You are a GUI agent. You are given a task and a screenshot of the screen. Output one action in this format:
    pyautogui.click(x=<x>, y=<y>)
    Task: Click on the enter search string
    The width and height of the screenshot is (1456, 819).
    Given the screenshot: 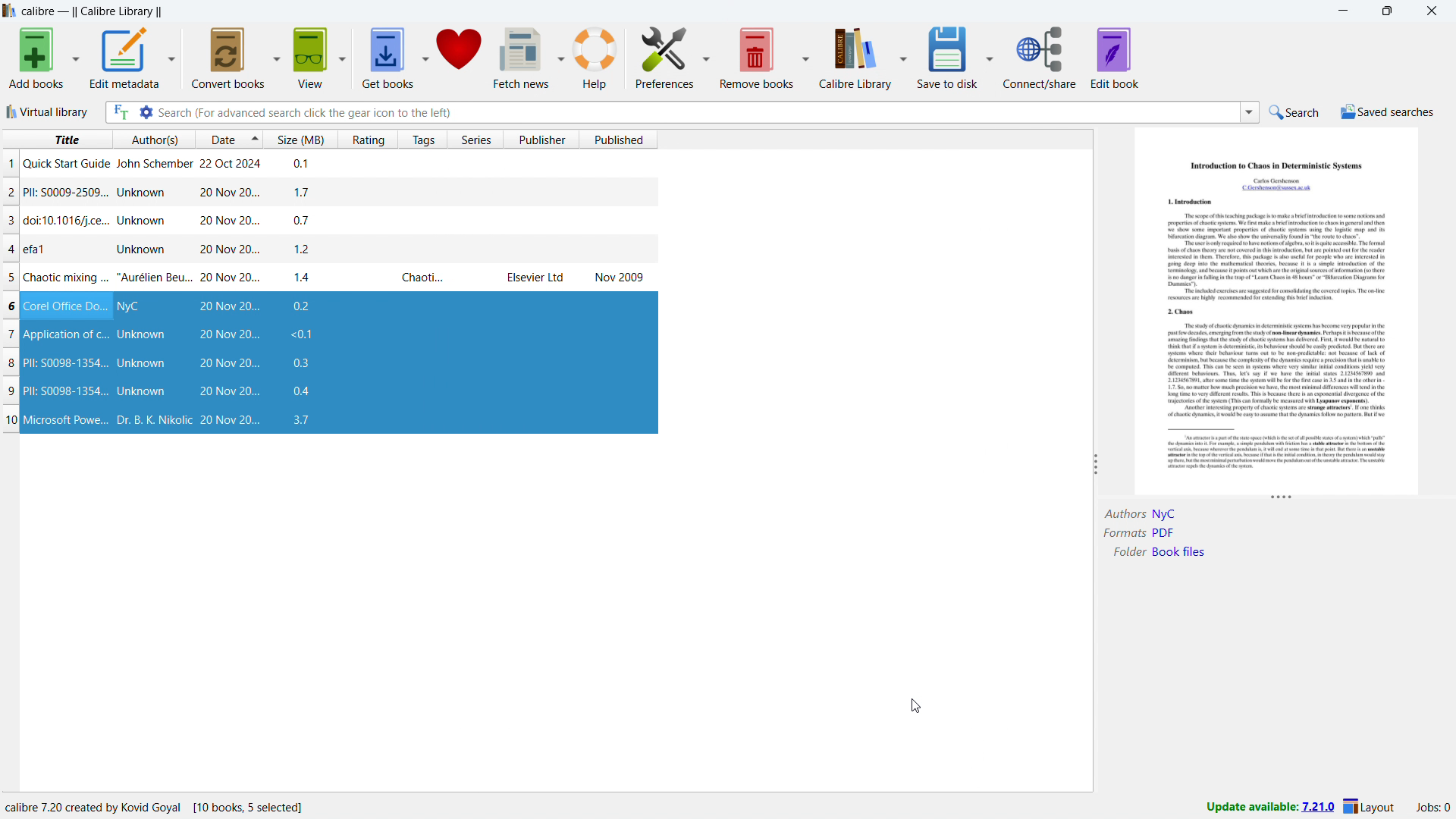 What is the action you would take?
    pyautogui.click(x=698, y=112)
    